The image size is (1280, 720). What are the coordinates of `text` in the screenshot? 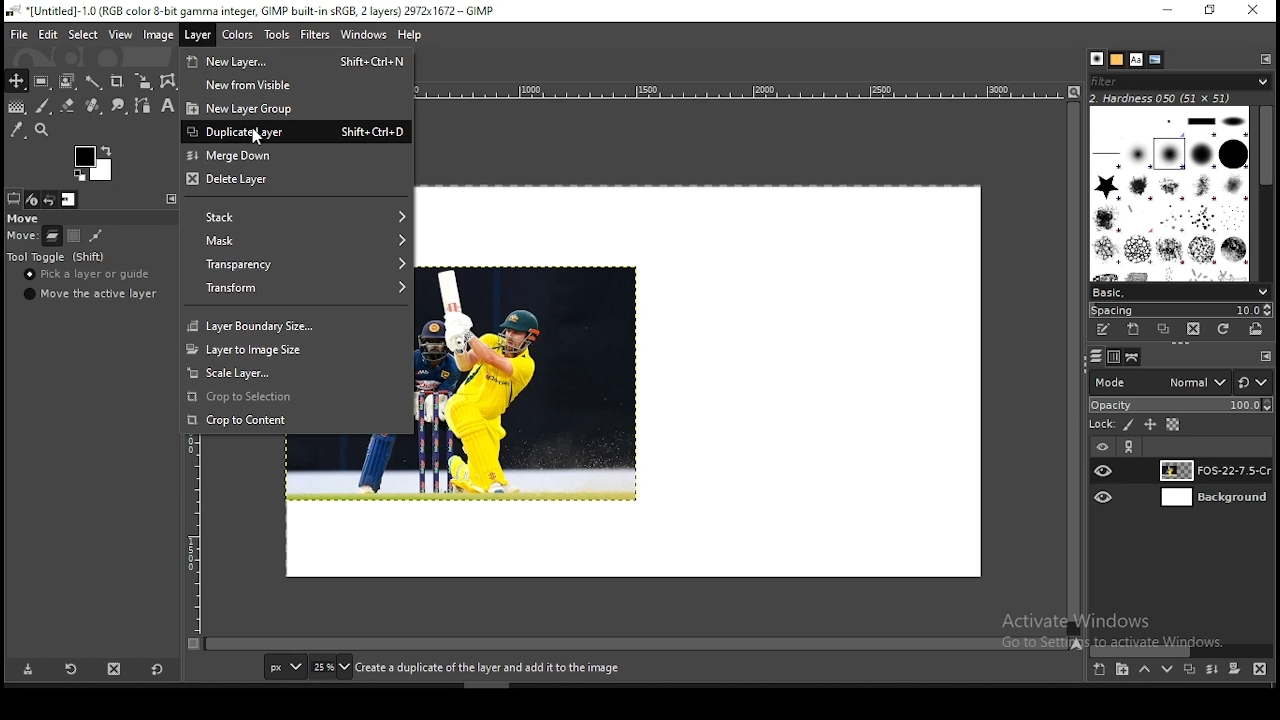 It's located at (1119, 631).